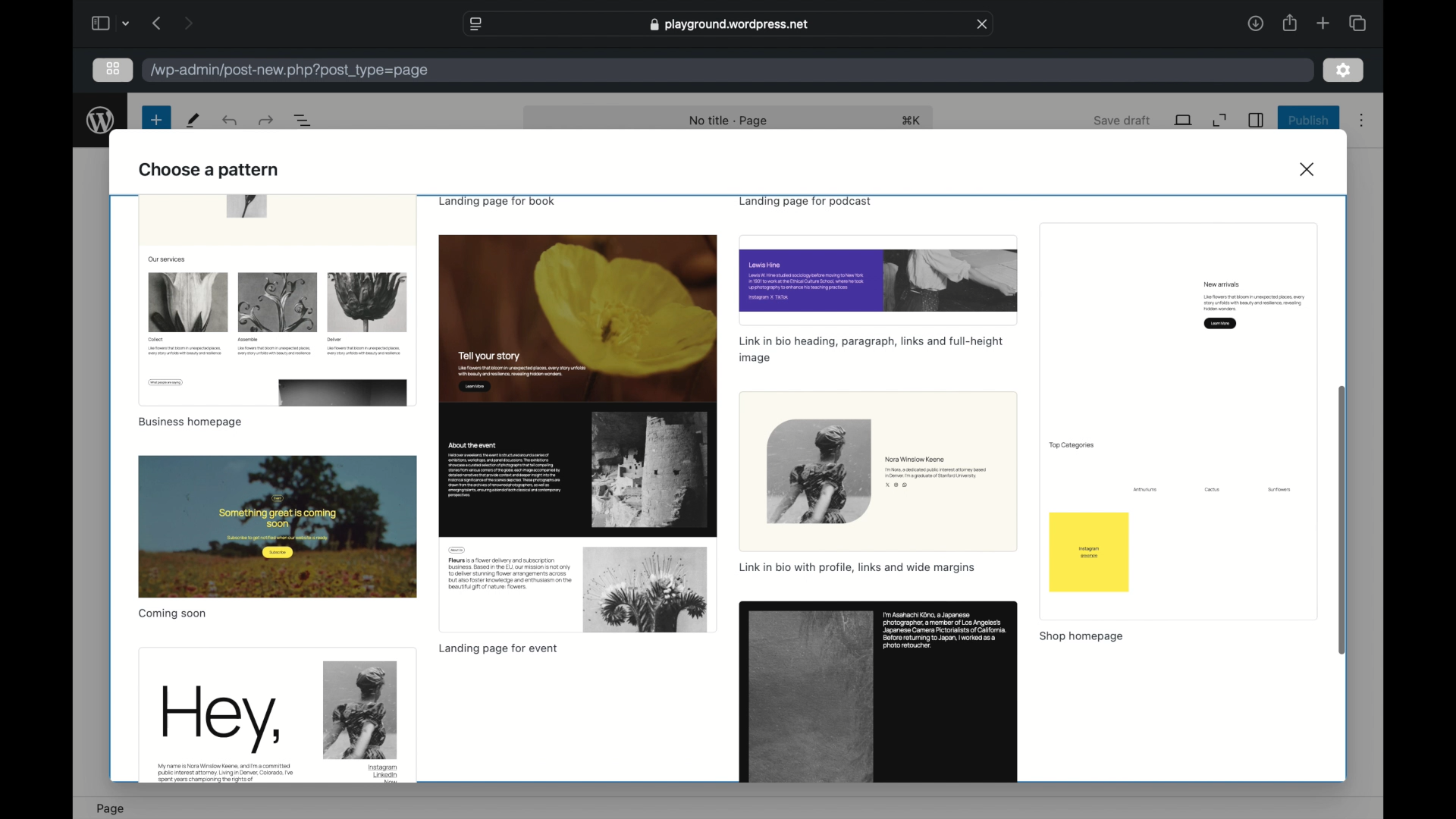  What do you see at coordinates (730, 121) in the screenshot?
I see `no title - page` at bounding box center [730, 121].